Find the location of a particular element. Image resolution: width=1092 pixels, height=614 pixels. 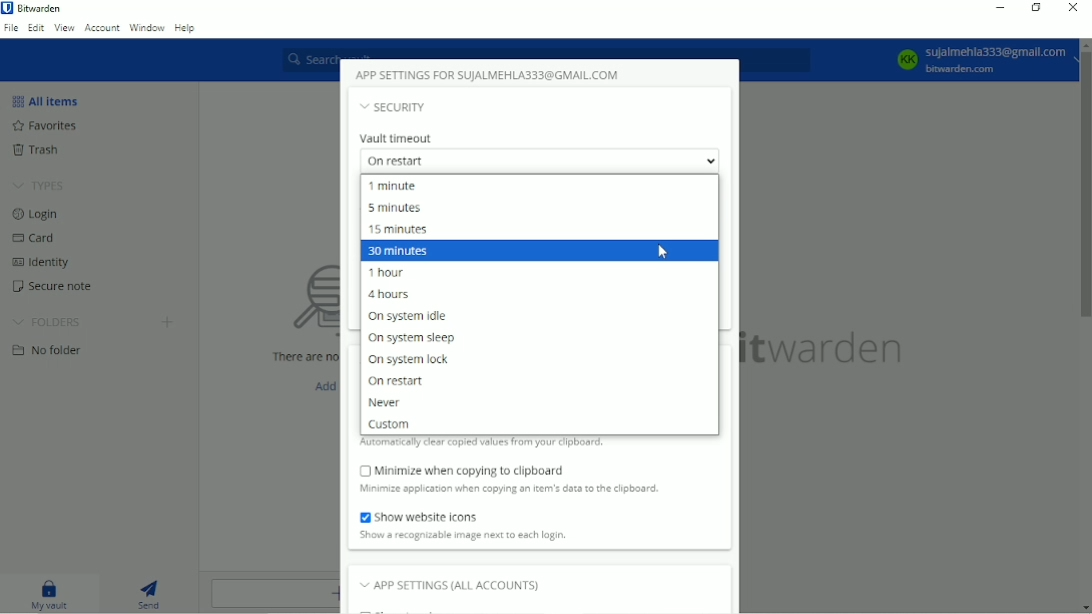

App settings (all accounts) is located at coordinates (451, 584).